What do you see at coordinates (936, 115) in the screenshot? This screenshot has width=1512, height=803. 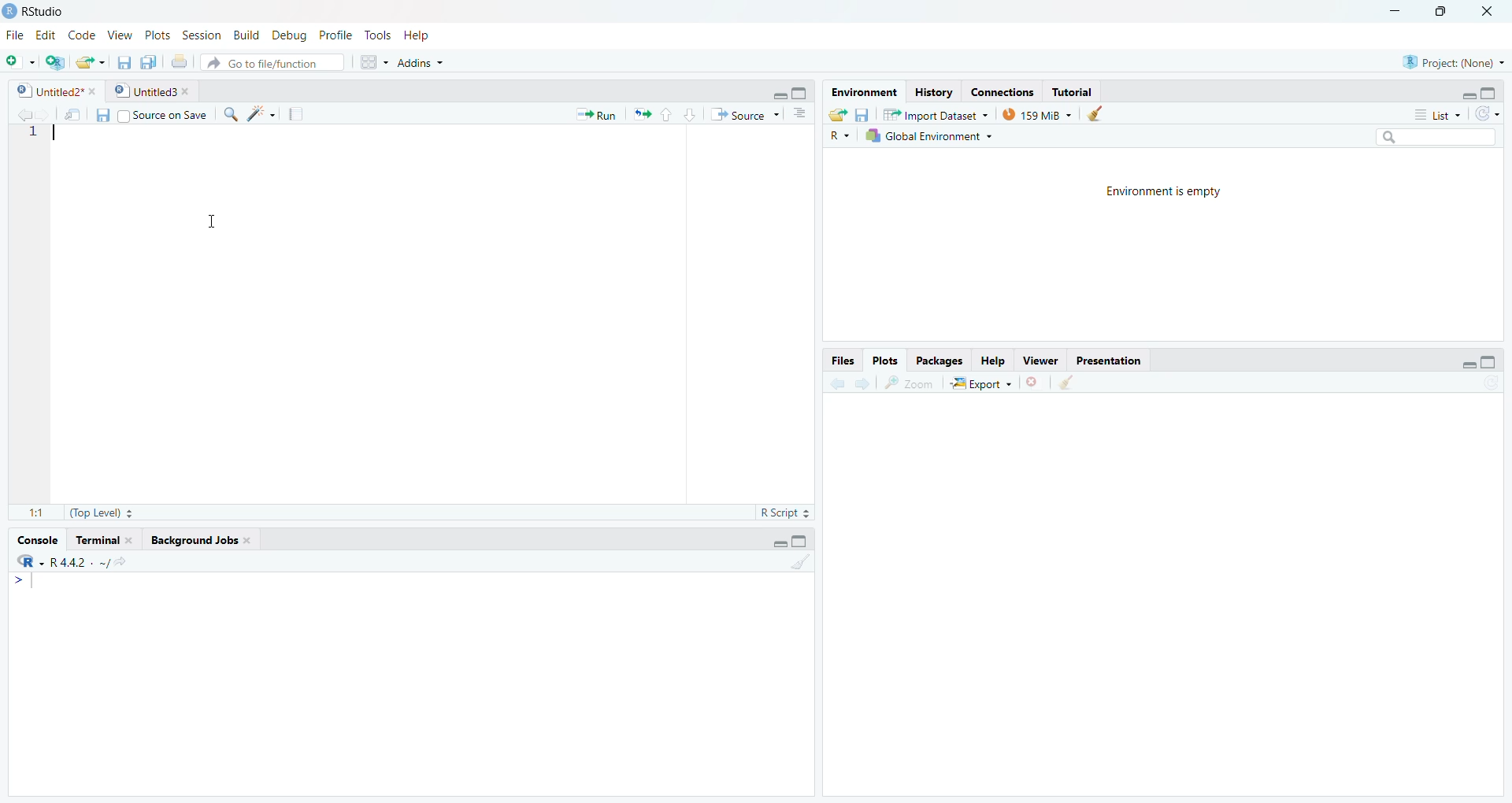 I see `Import Dataset` at bounding box center [936, 115].